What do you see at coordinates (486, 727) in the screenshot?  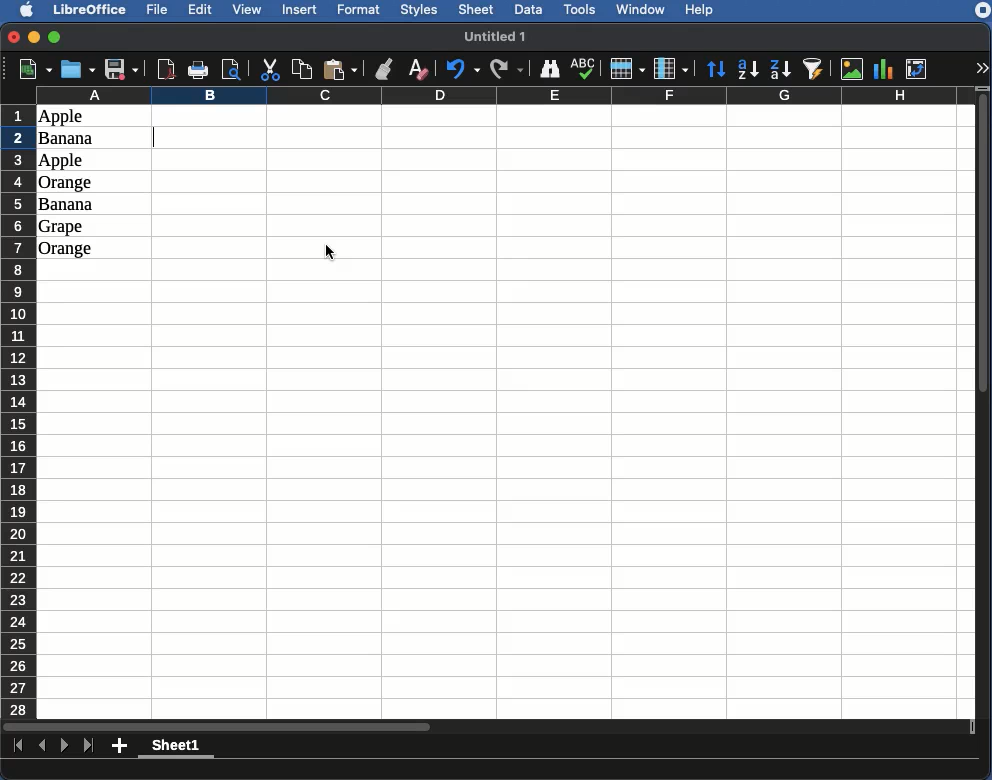 I see `Scroll` at bounding box center [486, 727].